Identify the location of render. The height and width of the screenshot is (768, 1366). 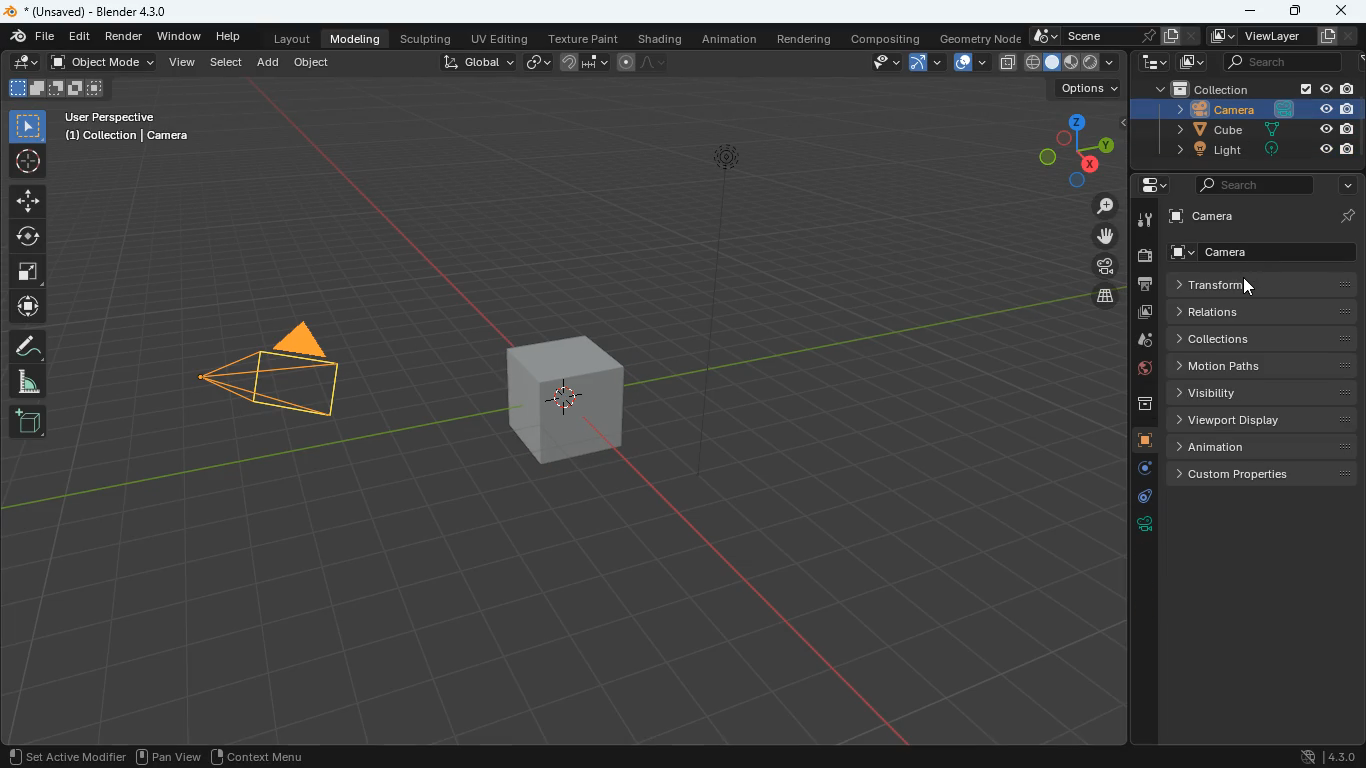
(125, 37).